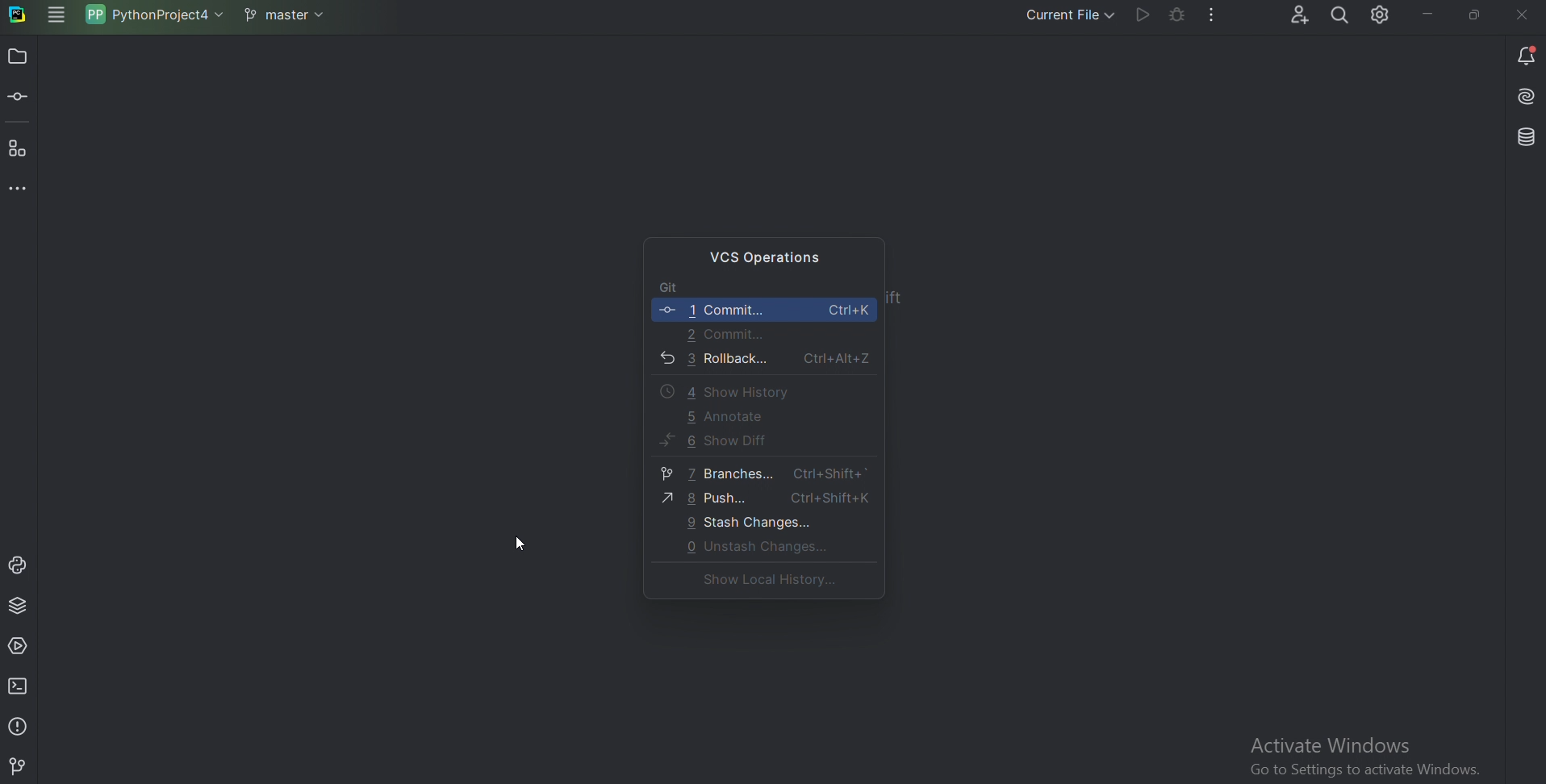  Describe the element at coordinates (723, 417) in the screenshot. I see `Annotate` at that location.